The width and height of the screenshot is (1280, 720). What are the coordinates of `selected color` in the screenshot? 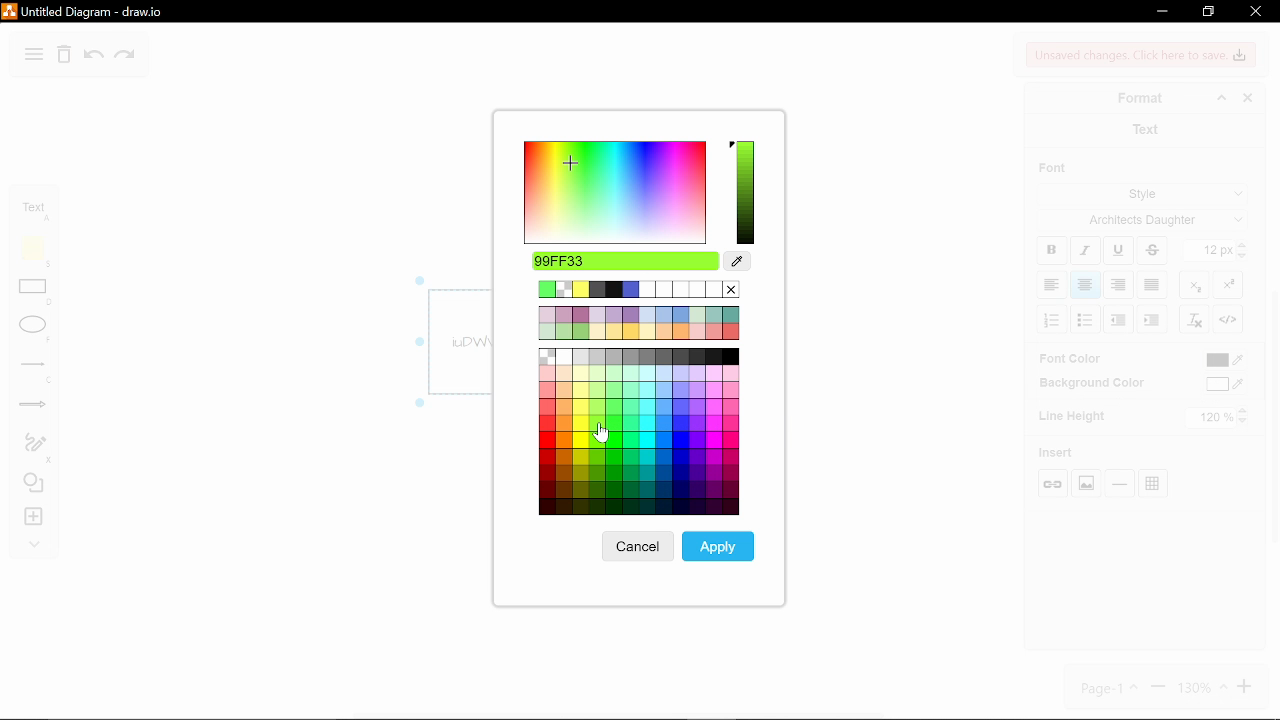 It's located at (623, 262).